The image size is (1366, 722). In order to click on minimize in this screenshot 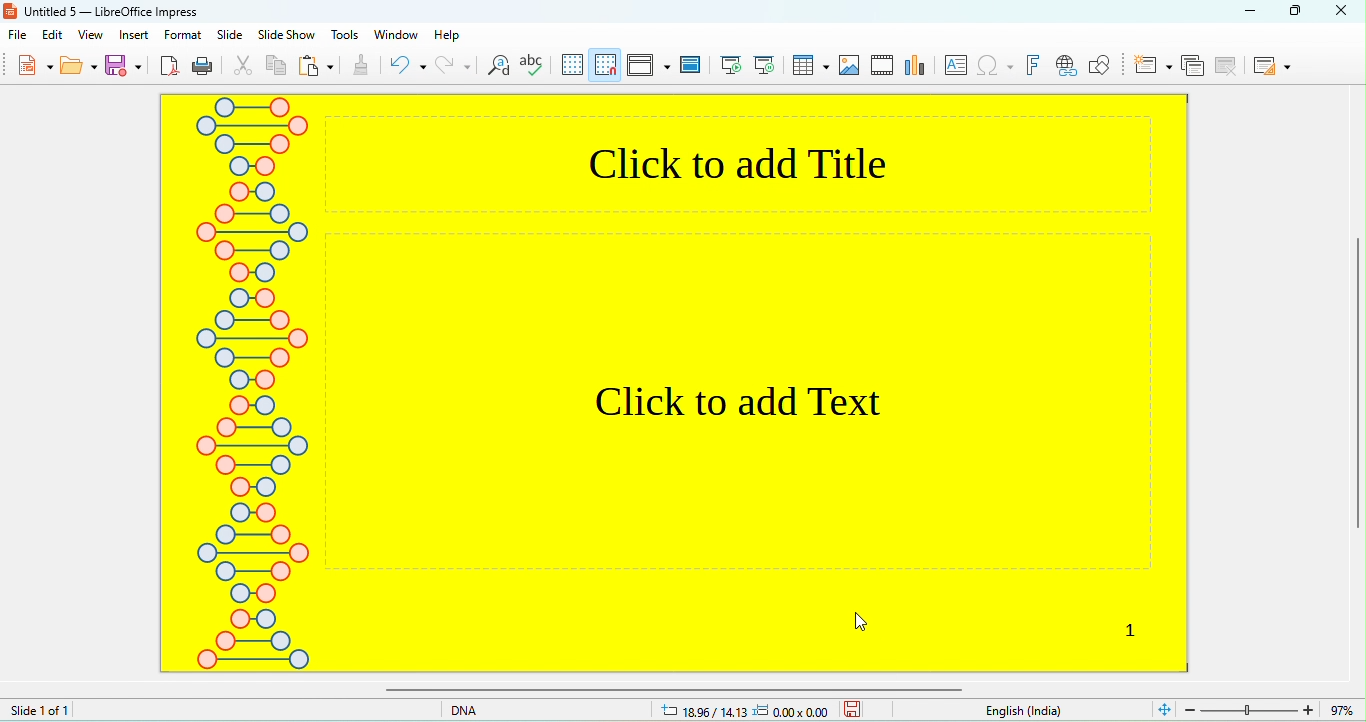, I will do `click(1250, 10)`.